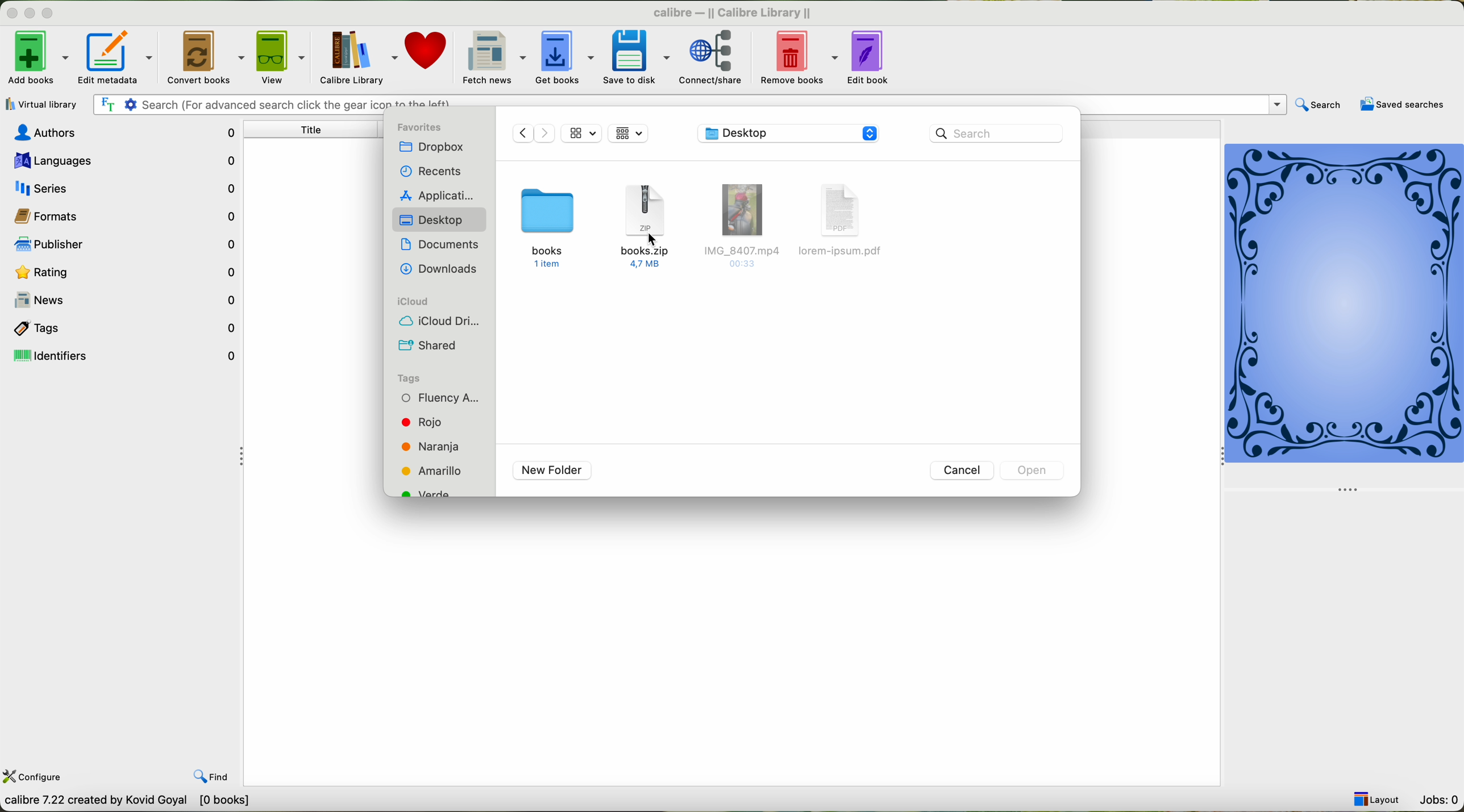  I want to click on languages, so click(121, 163).